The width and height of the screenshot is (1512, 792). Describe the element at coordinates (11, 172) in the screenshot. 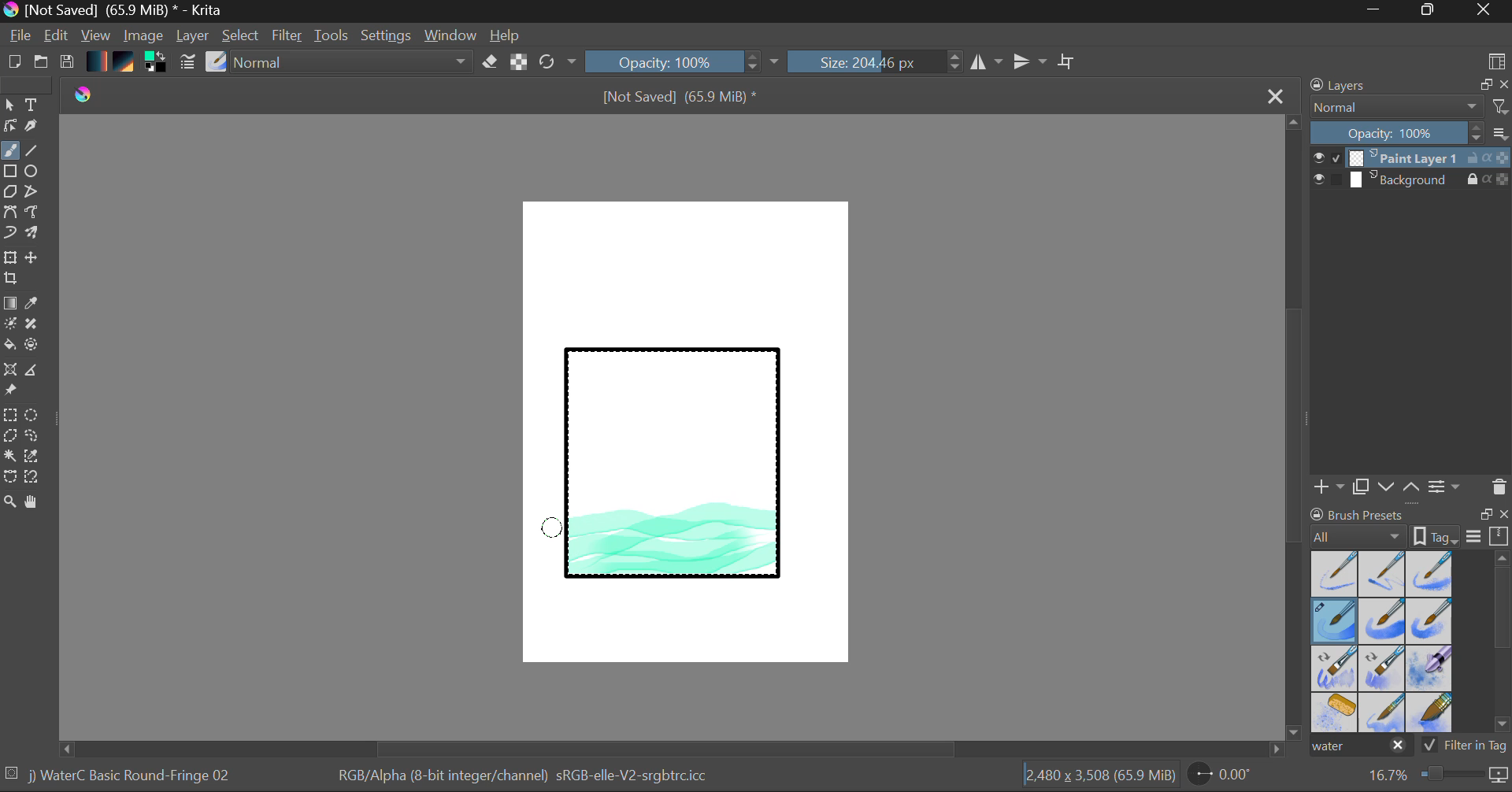

I see `Rectangle` at that location.